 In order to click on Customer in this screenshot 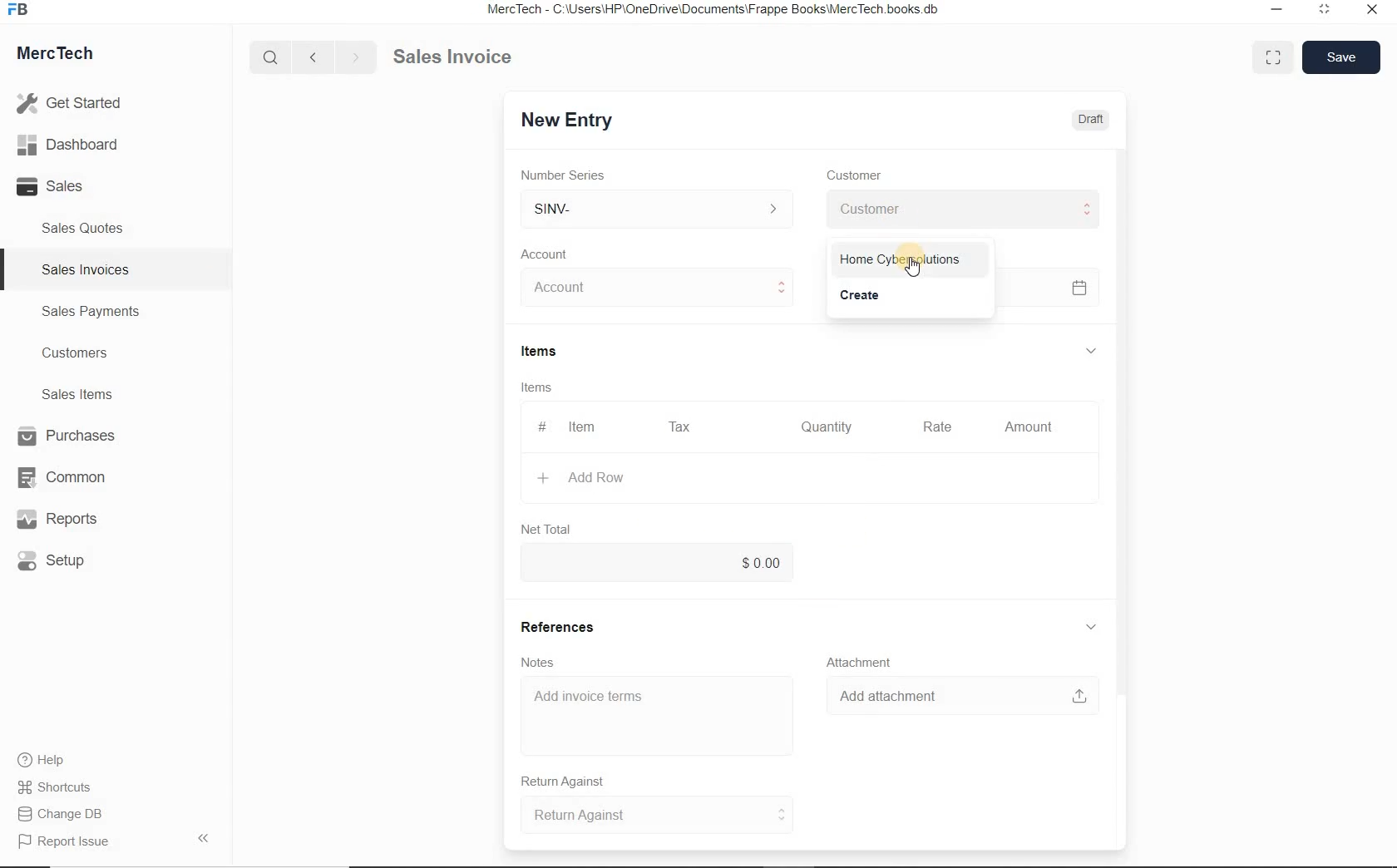, I will do `click(865, 175)`.